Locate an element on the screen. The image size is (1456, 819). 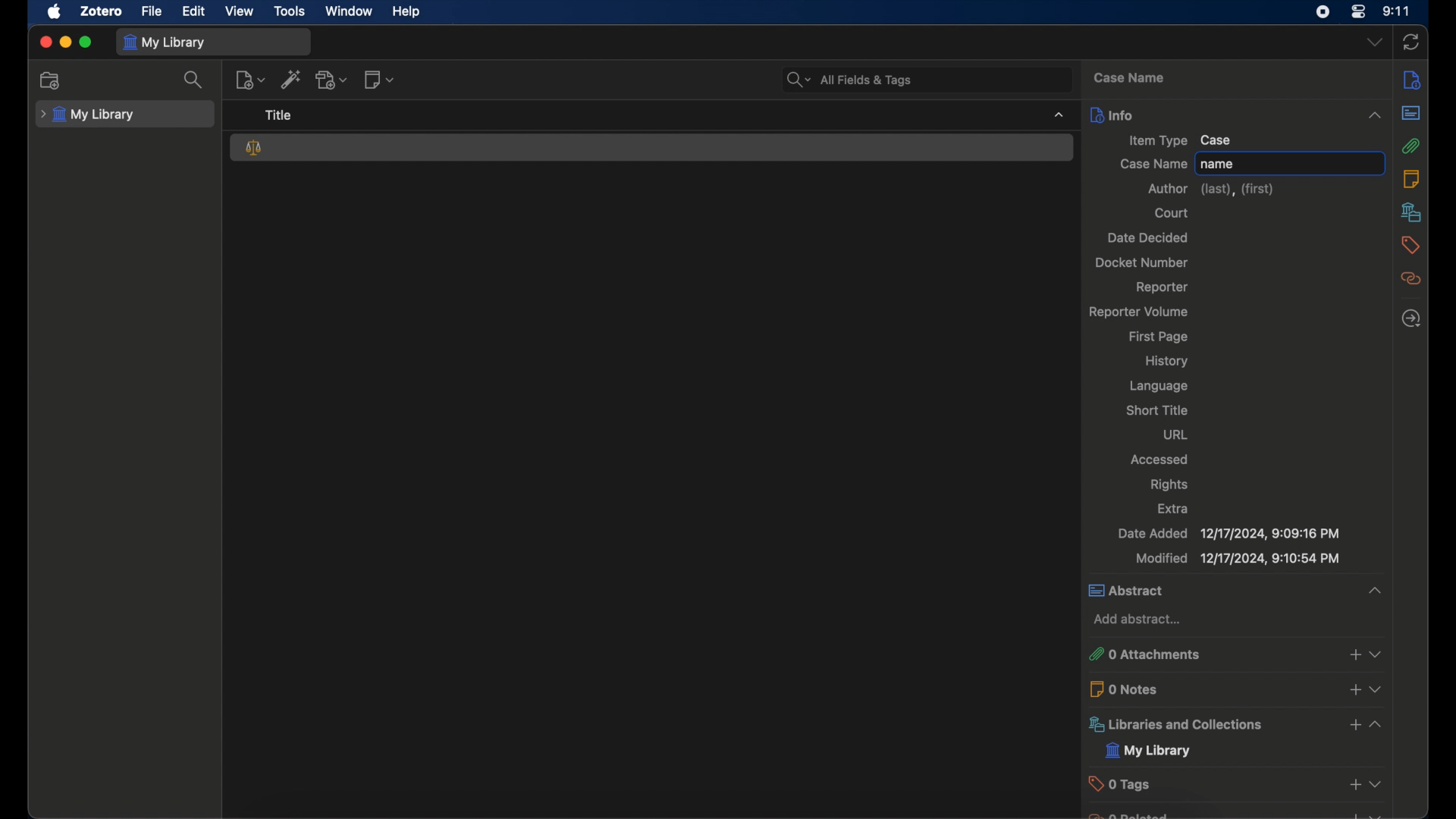
my library is located at coordinates (164, 42).